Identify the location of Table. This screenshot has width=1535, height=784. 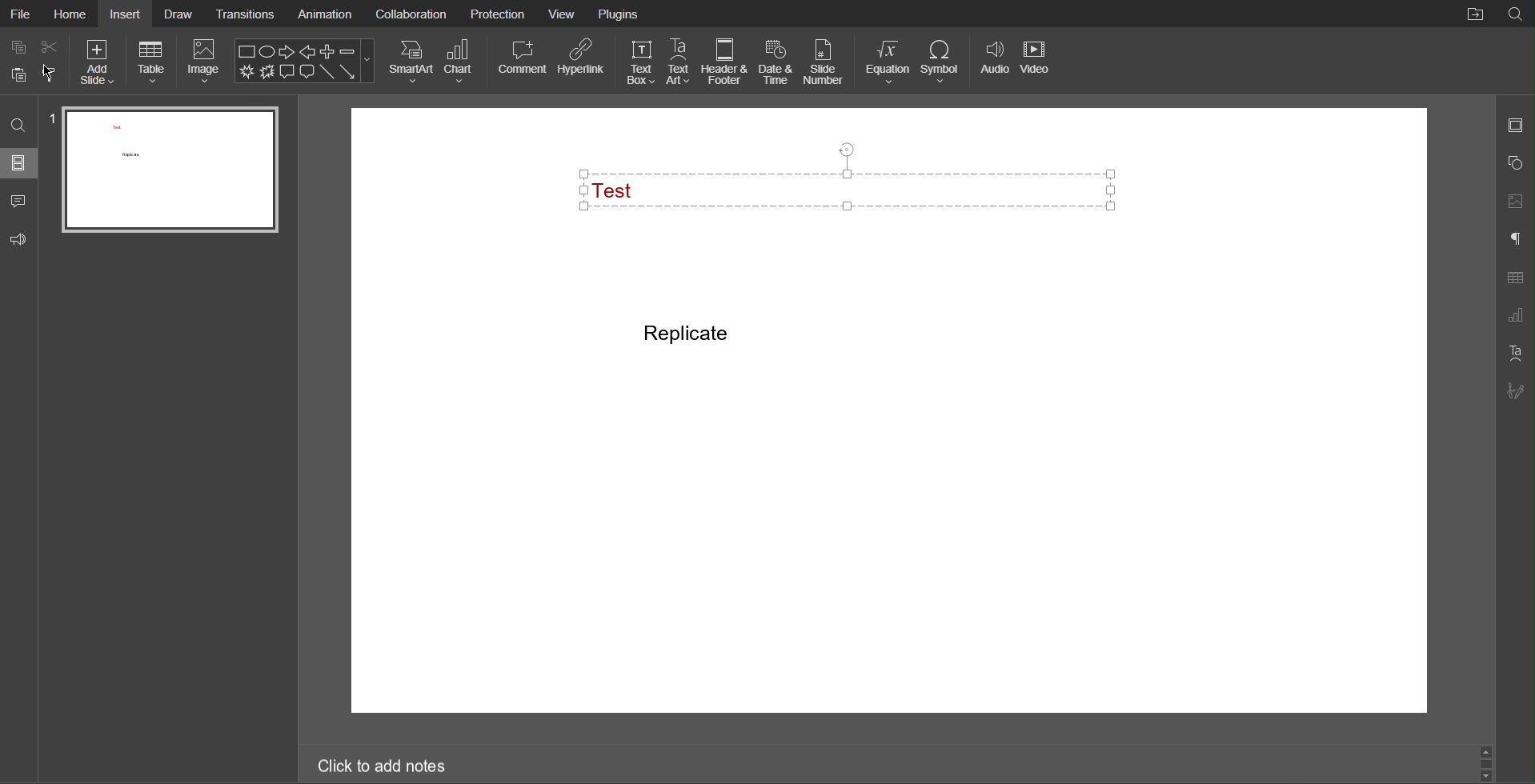
(152, 62).